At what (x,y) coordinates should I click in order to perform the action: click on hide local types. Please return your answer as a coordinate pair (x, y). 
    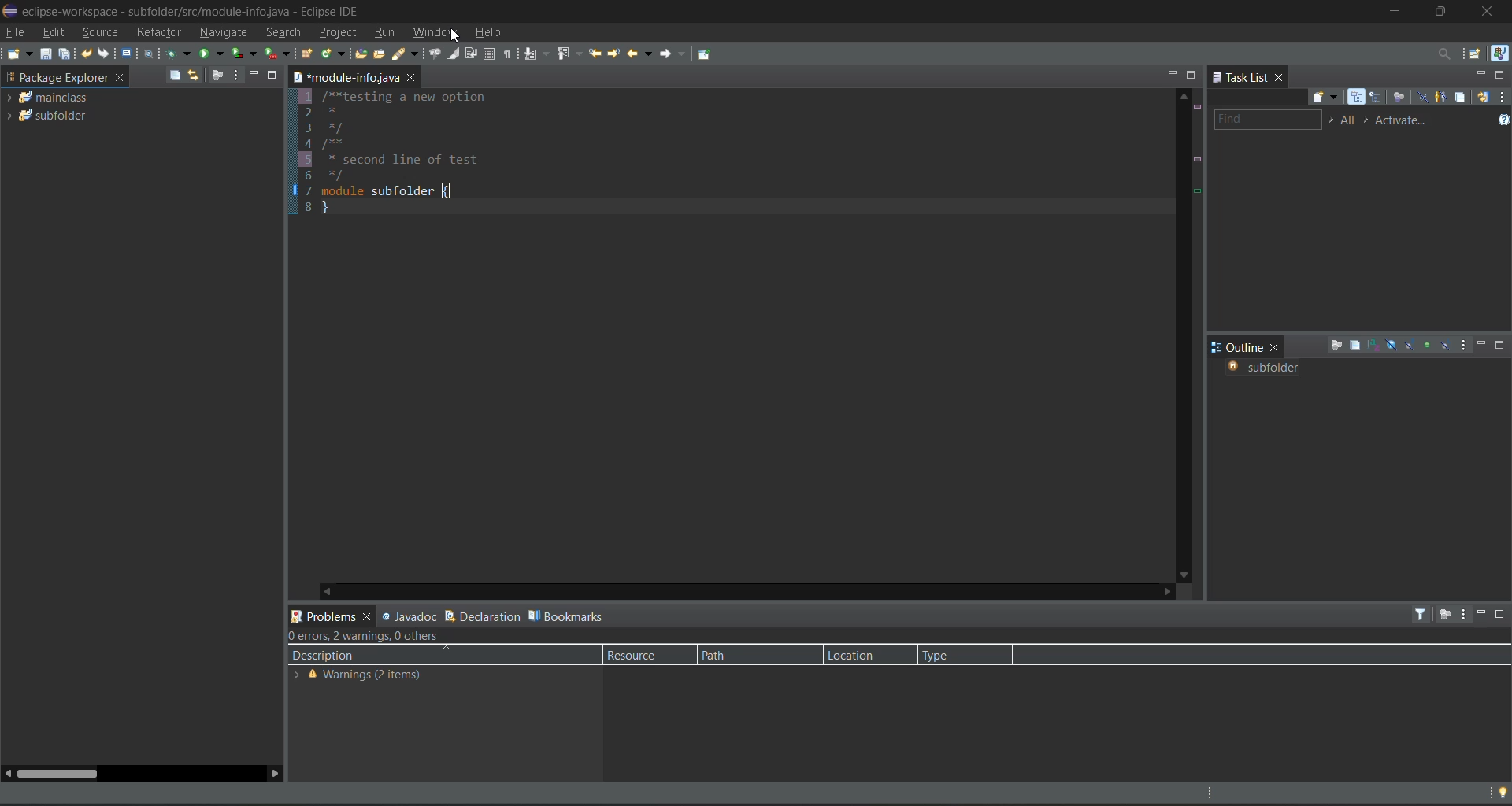
    Looking at the image, I should click on (1447, 347).